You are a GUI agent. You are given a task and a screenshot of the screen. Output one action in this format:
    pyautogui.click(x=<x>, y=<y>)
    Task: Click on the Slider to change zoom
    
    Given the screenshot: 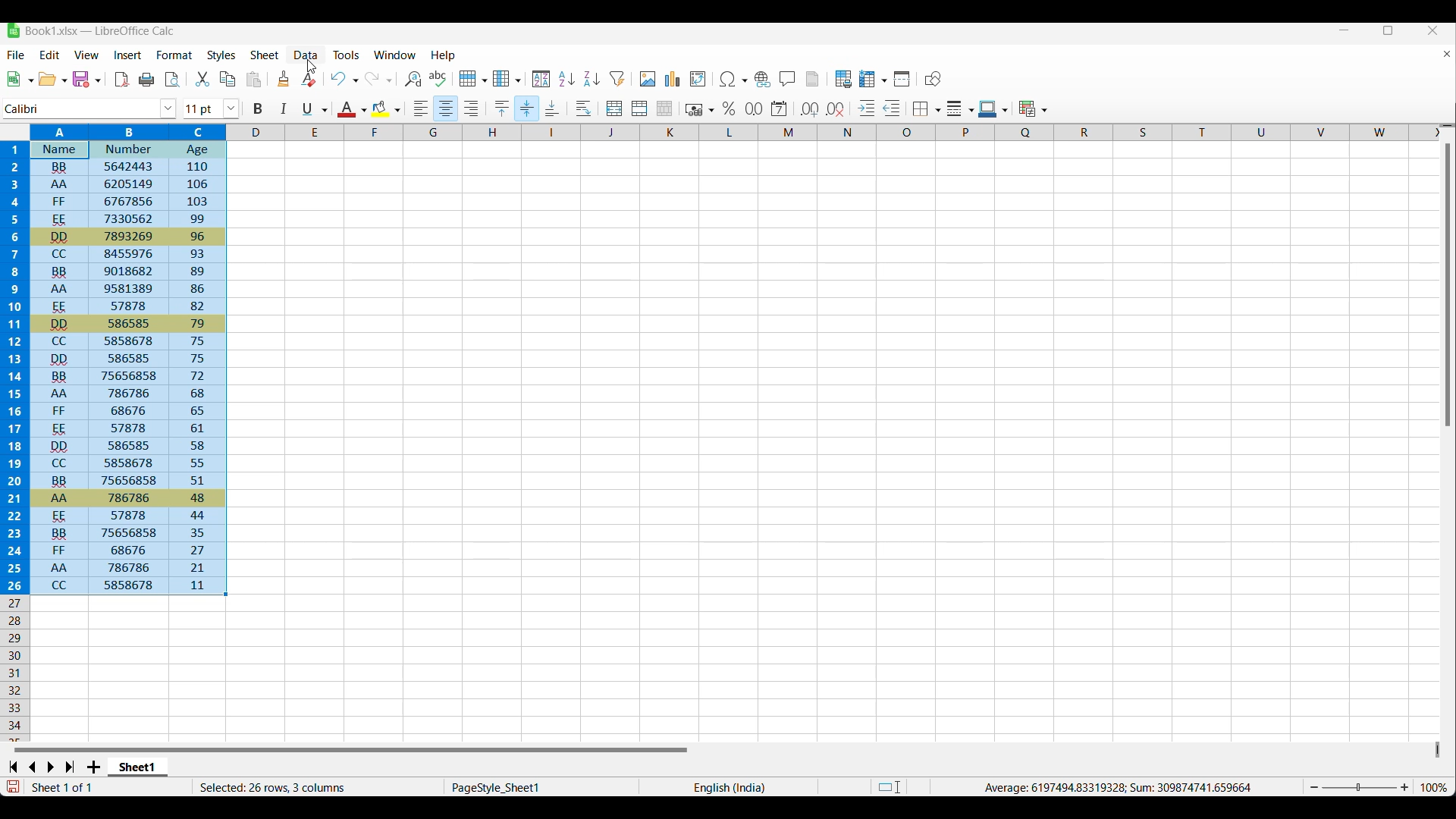 What is the action you would take?
    pyautogui.click(x=1359, y=788)
    